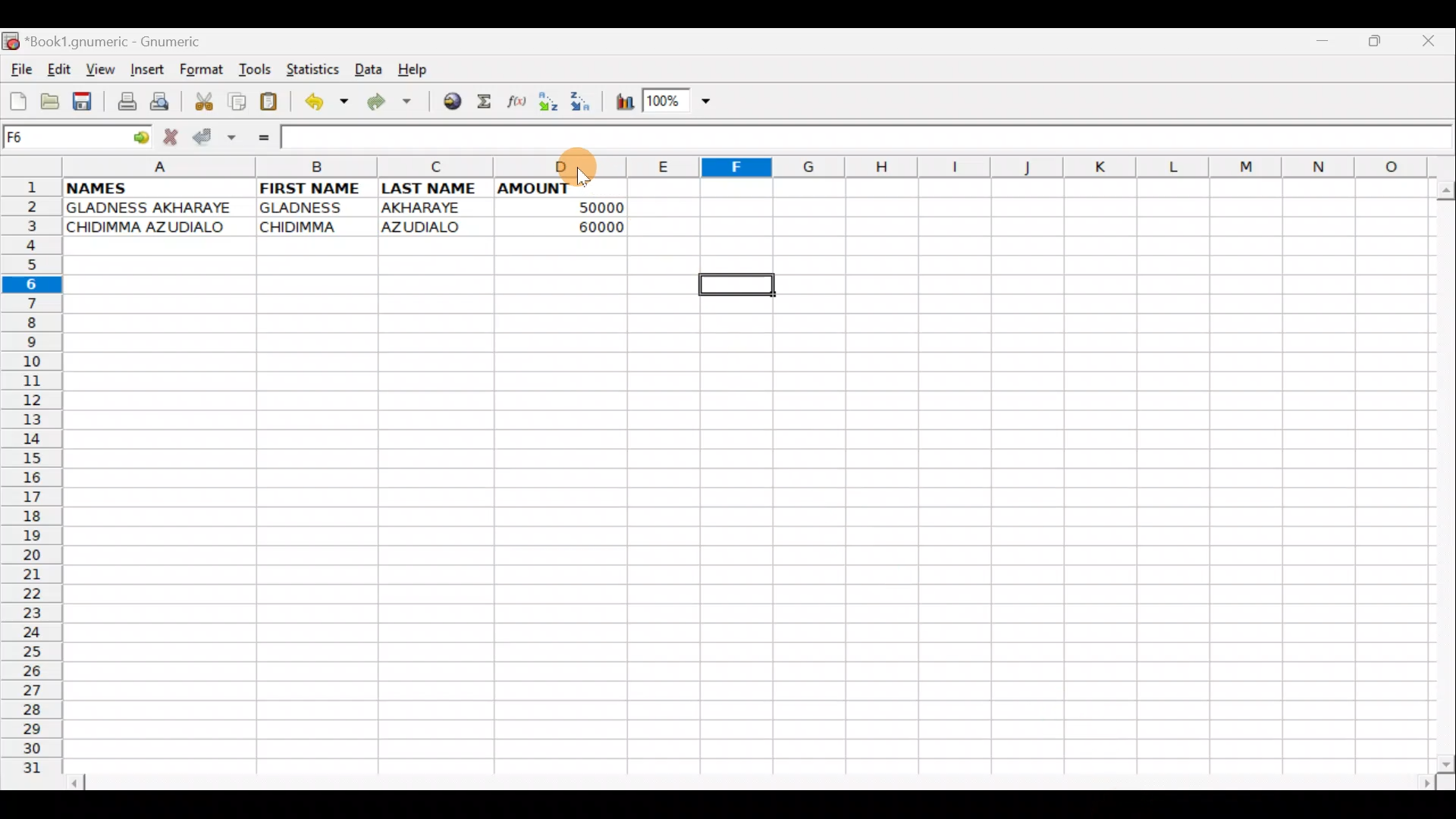  Describe the element at coordinates (173, 136) in the screenshot. I see `Cancel change` at that location.